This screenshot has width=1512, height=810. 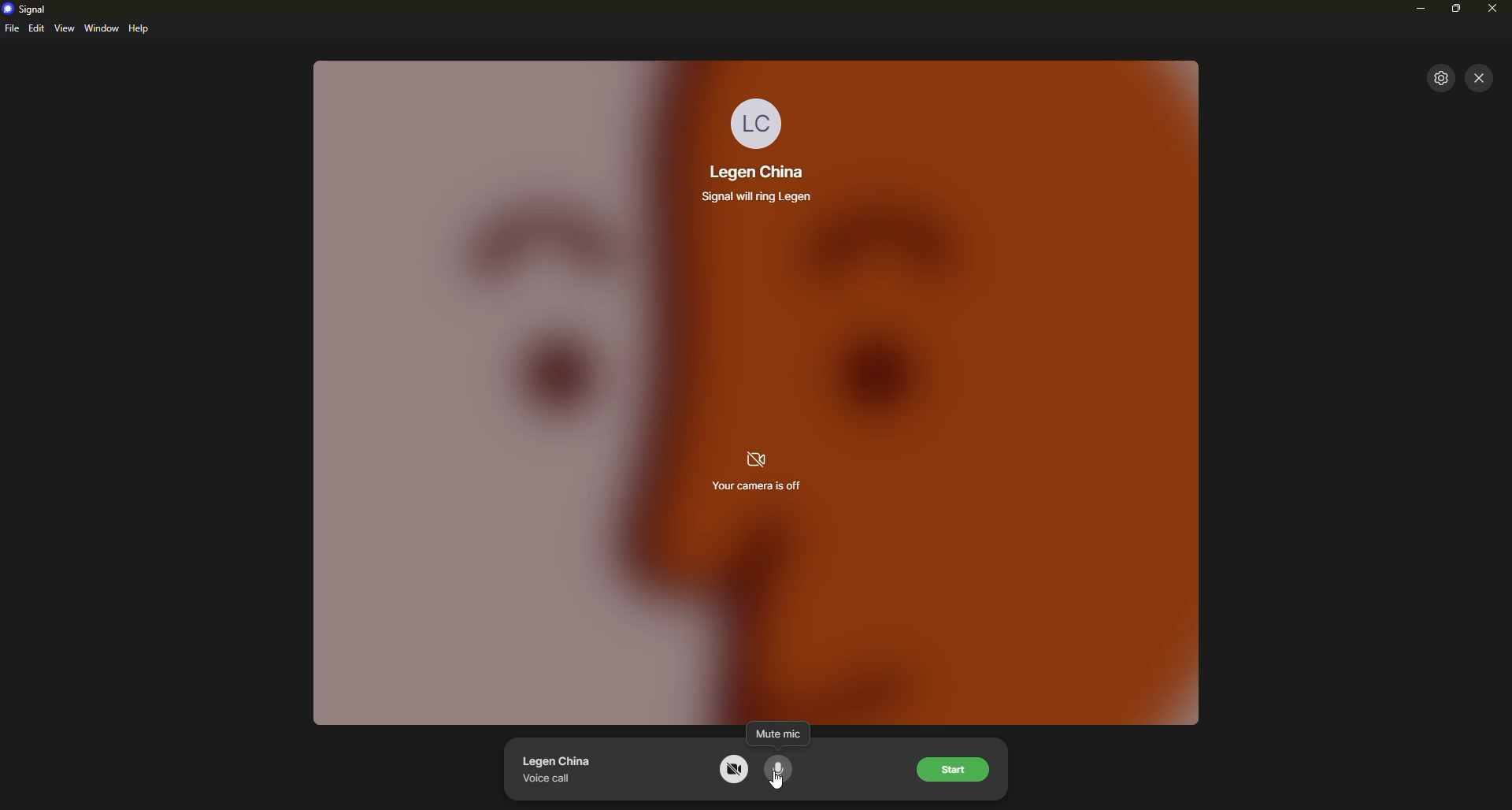 What do you see at coordinates (37, 28) in the screenshot?
I see `edit` at bounding box center [37, 28].